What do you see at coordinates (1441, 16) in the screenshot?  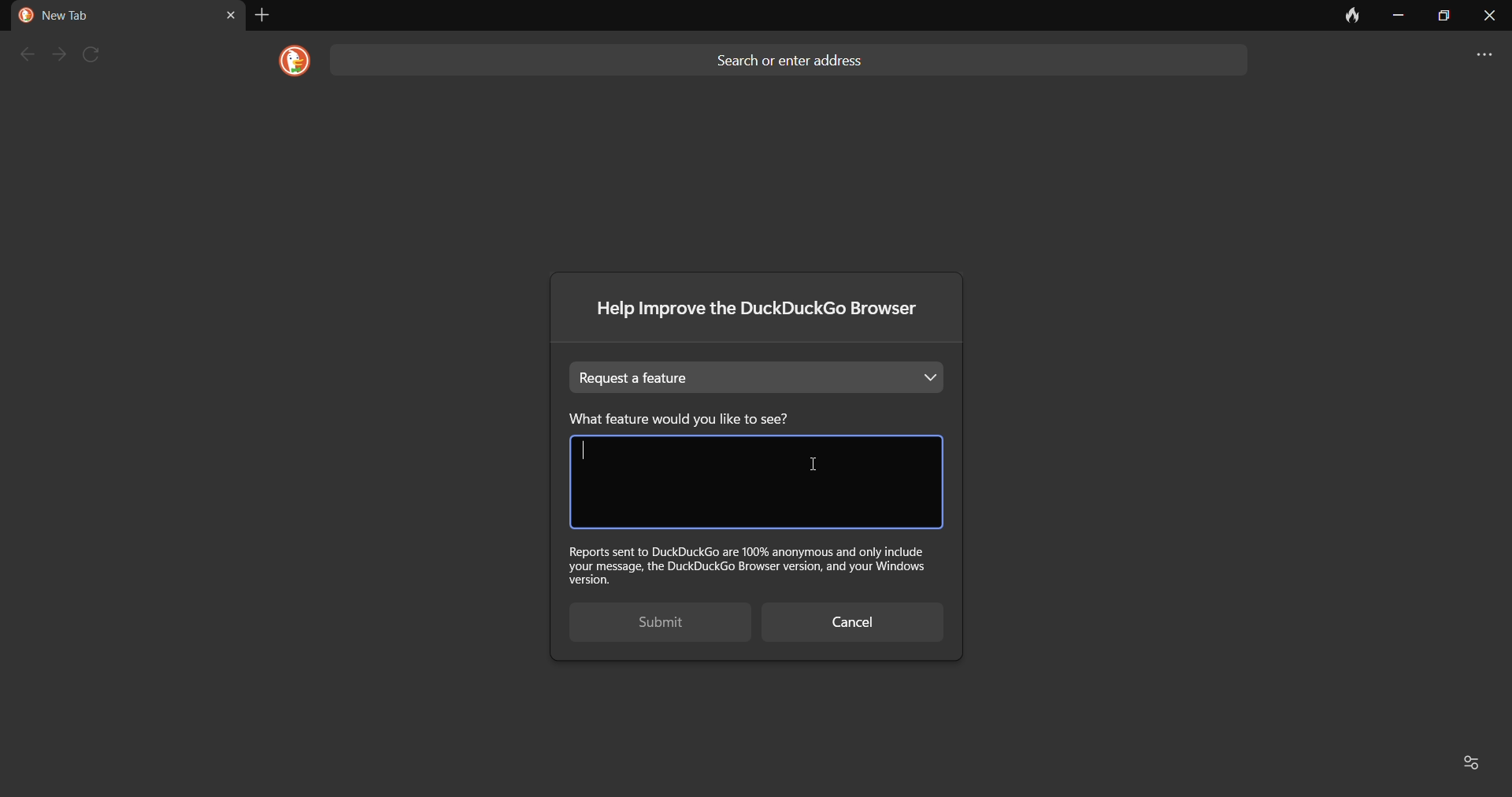 I see `maximize` at bounding box center [1441, 16].